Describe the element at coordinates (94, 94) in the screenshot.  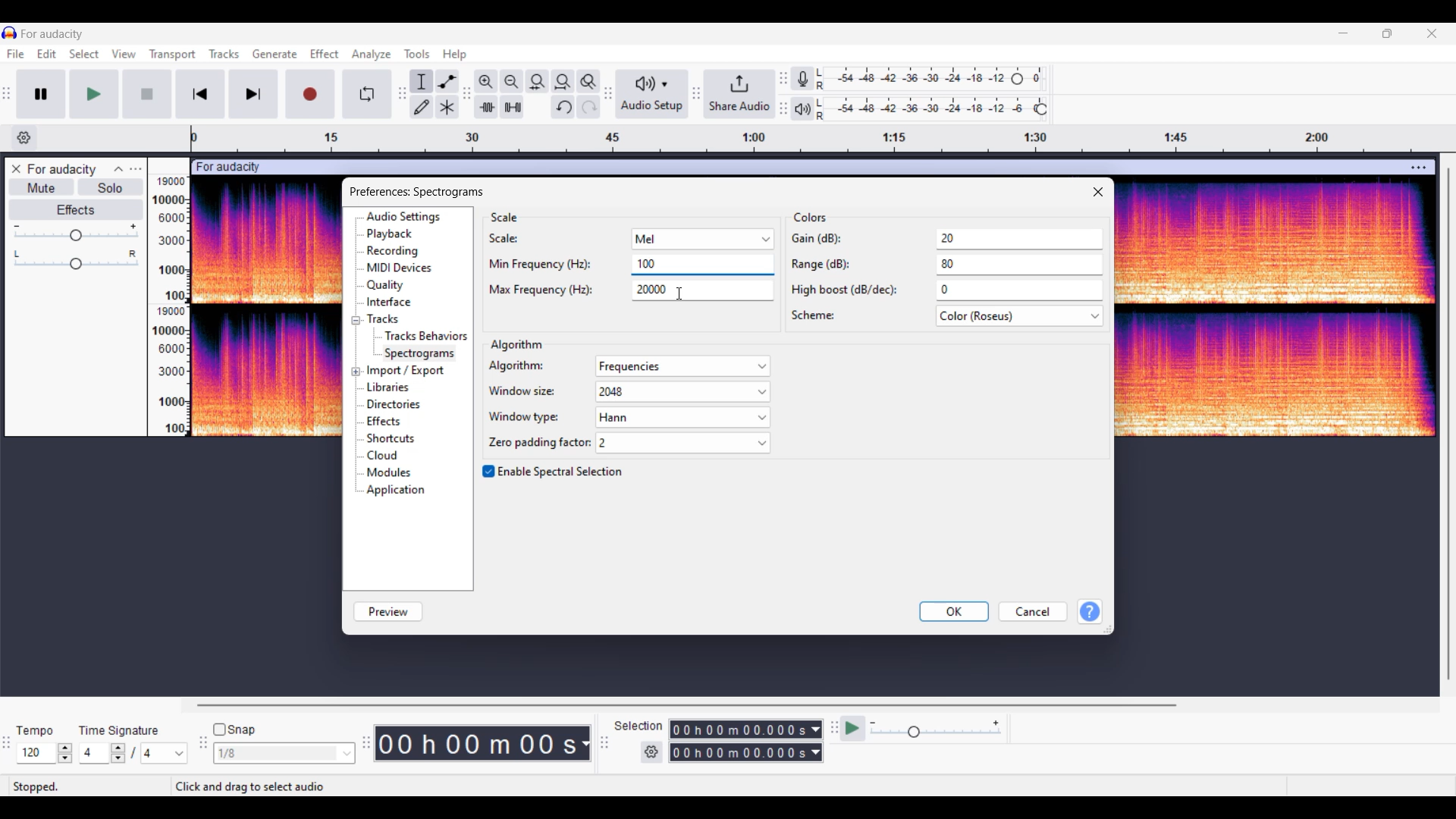
I see `Play/Play once` at that location.